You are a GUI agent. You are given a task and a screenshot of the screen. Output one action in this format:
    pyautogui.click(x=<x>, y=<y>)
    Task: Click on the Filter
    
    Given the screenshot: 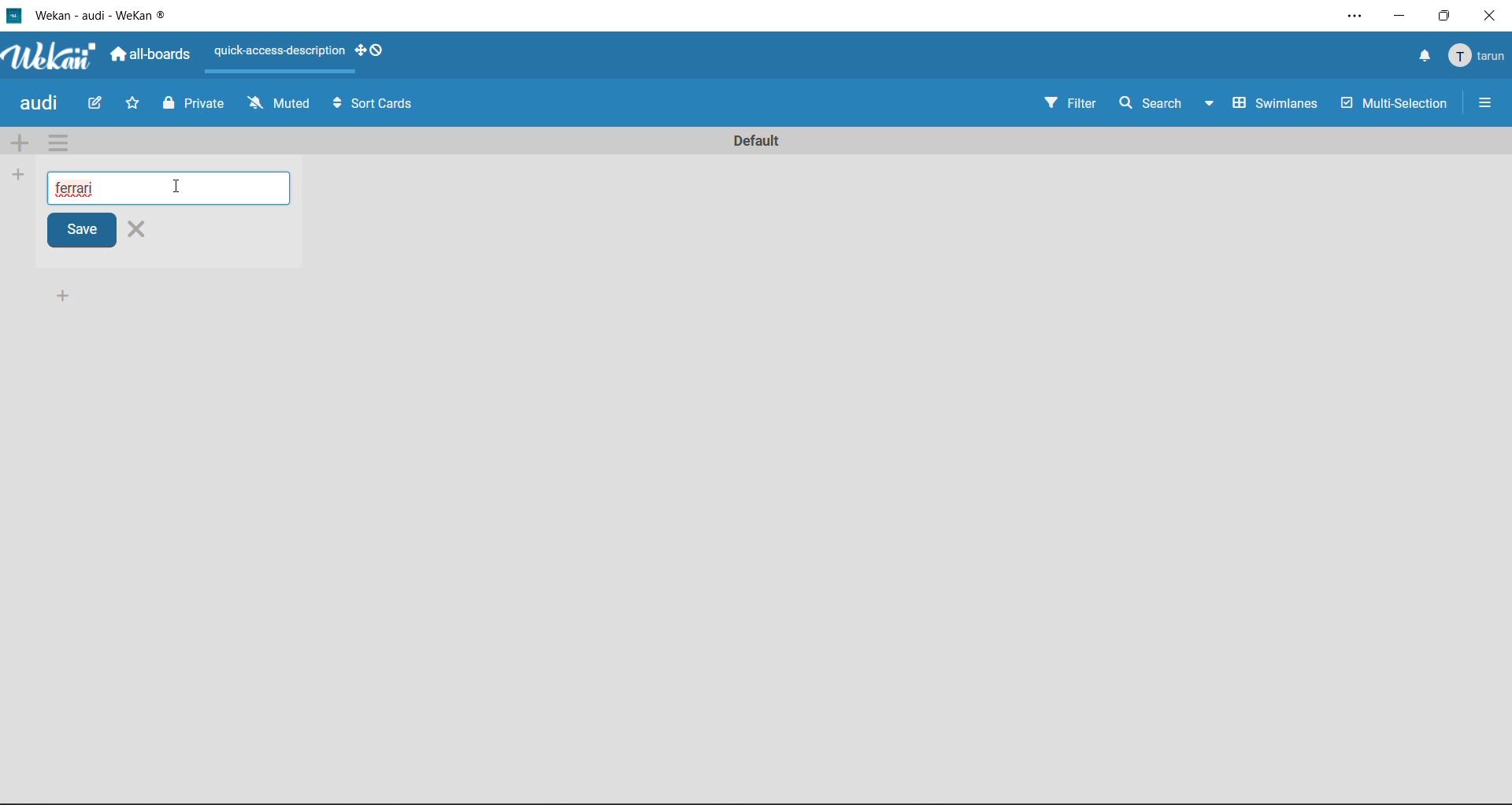 What is the action you would take?
    pyautogui.click(x=1066, y=104)
    